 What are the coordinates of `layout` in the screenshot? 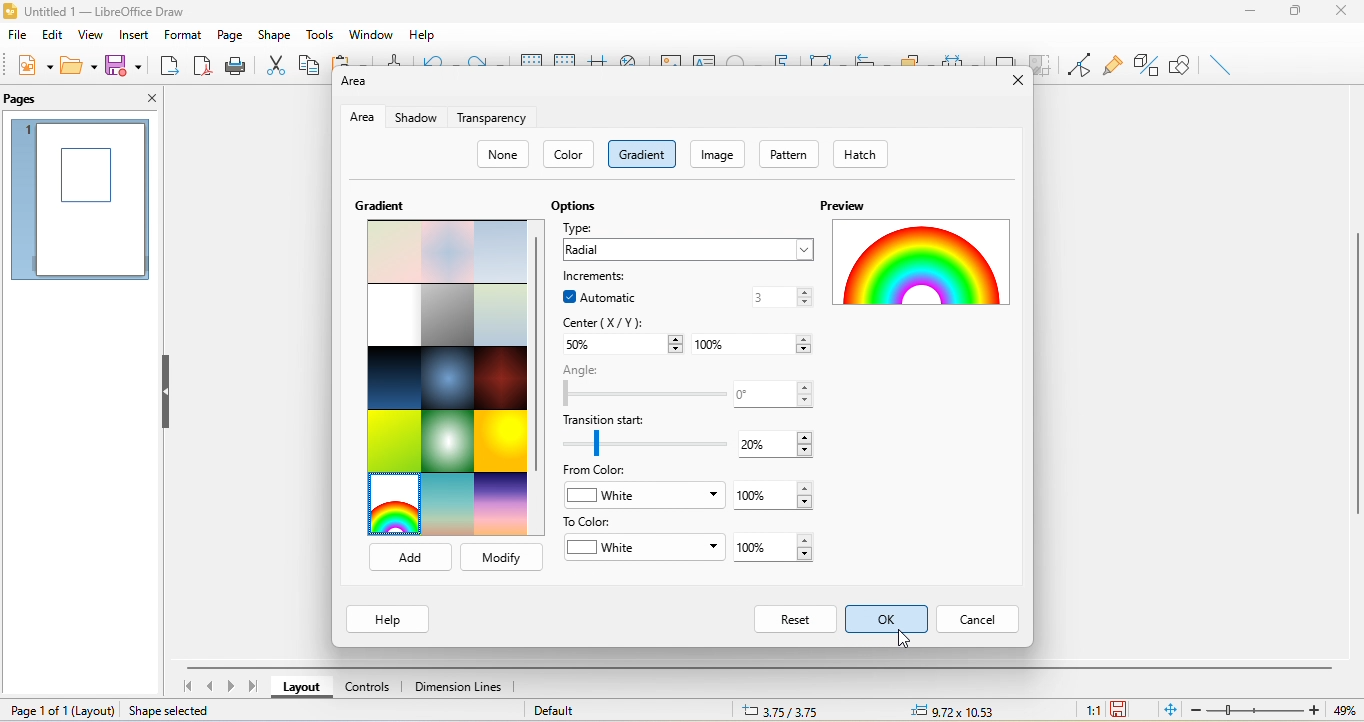 It's located at (303, 687).